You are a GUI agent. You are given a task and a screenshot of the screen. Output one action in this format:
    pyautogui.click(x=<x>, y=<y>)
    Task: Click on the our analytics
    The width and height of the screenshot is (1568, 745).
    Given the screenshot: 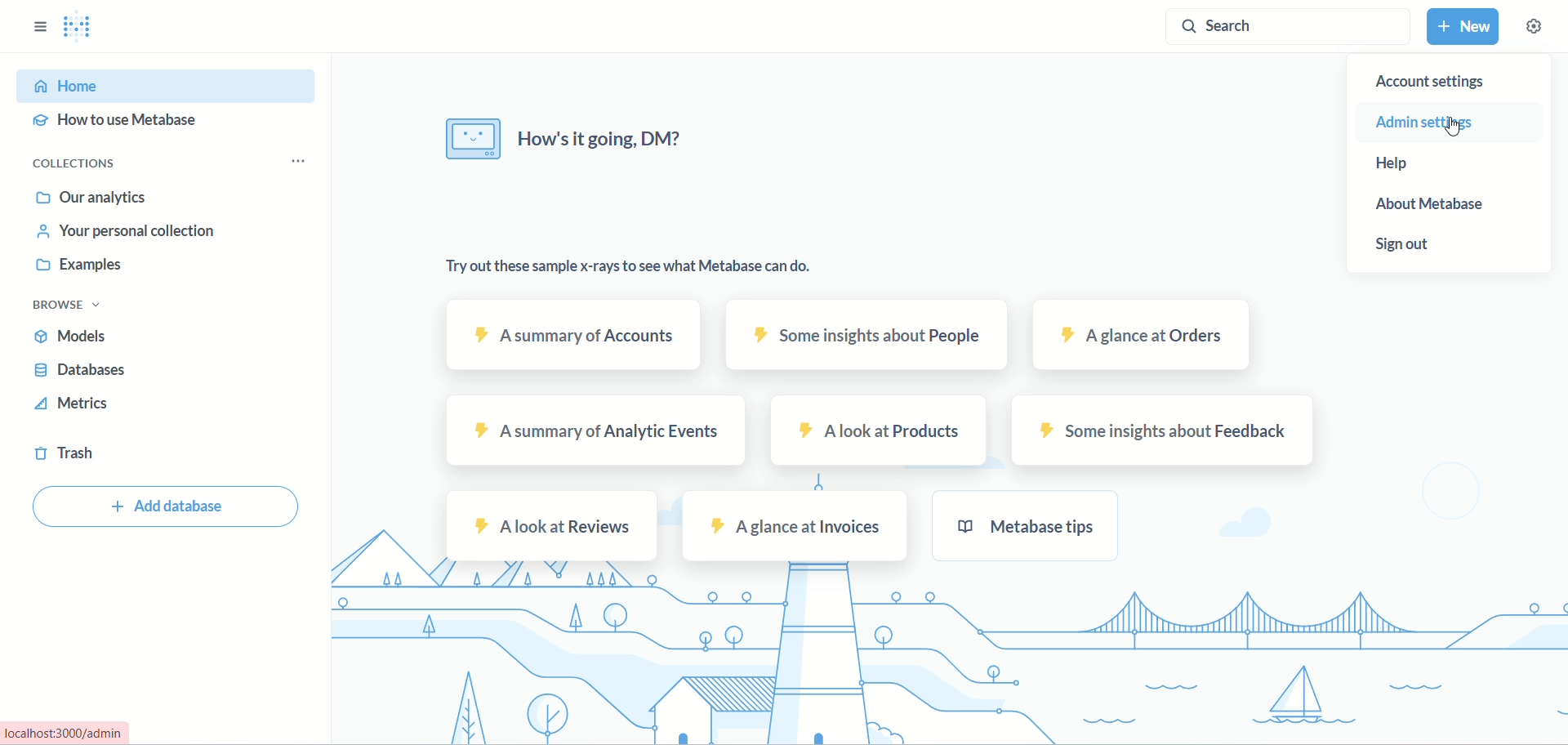 What is the action you would take?
    pyautogui.click(x=97, y=199)
    